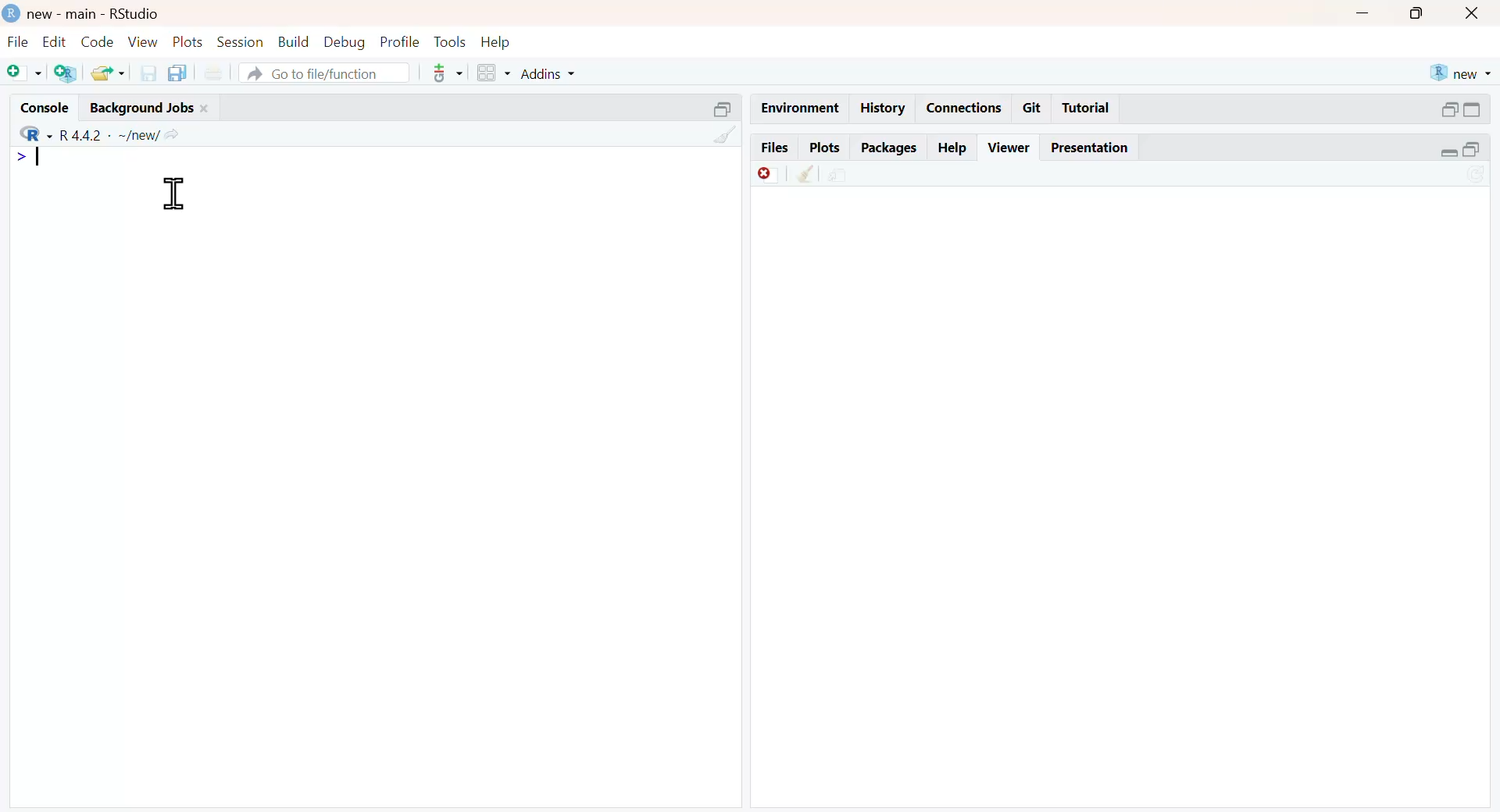  What do you see at coordinates (775, 147) in the screenshot?
I see `files` at bounding box center [775, 147].